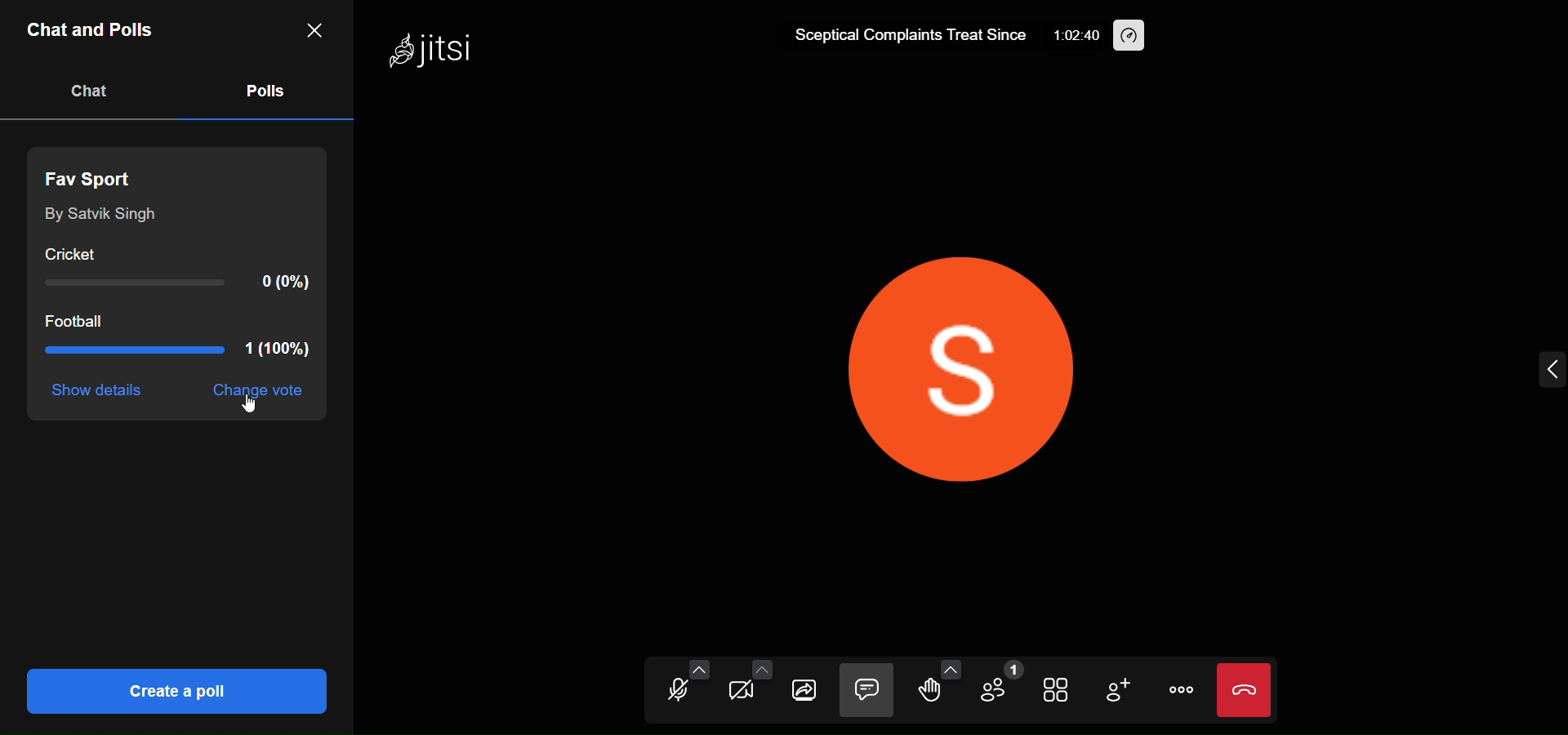 This screenshot has height=735, width=1568. What do you see at coordinates (99, 392) in the screenshot?
I see `show details` at bounding box center [99, 392].